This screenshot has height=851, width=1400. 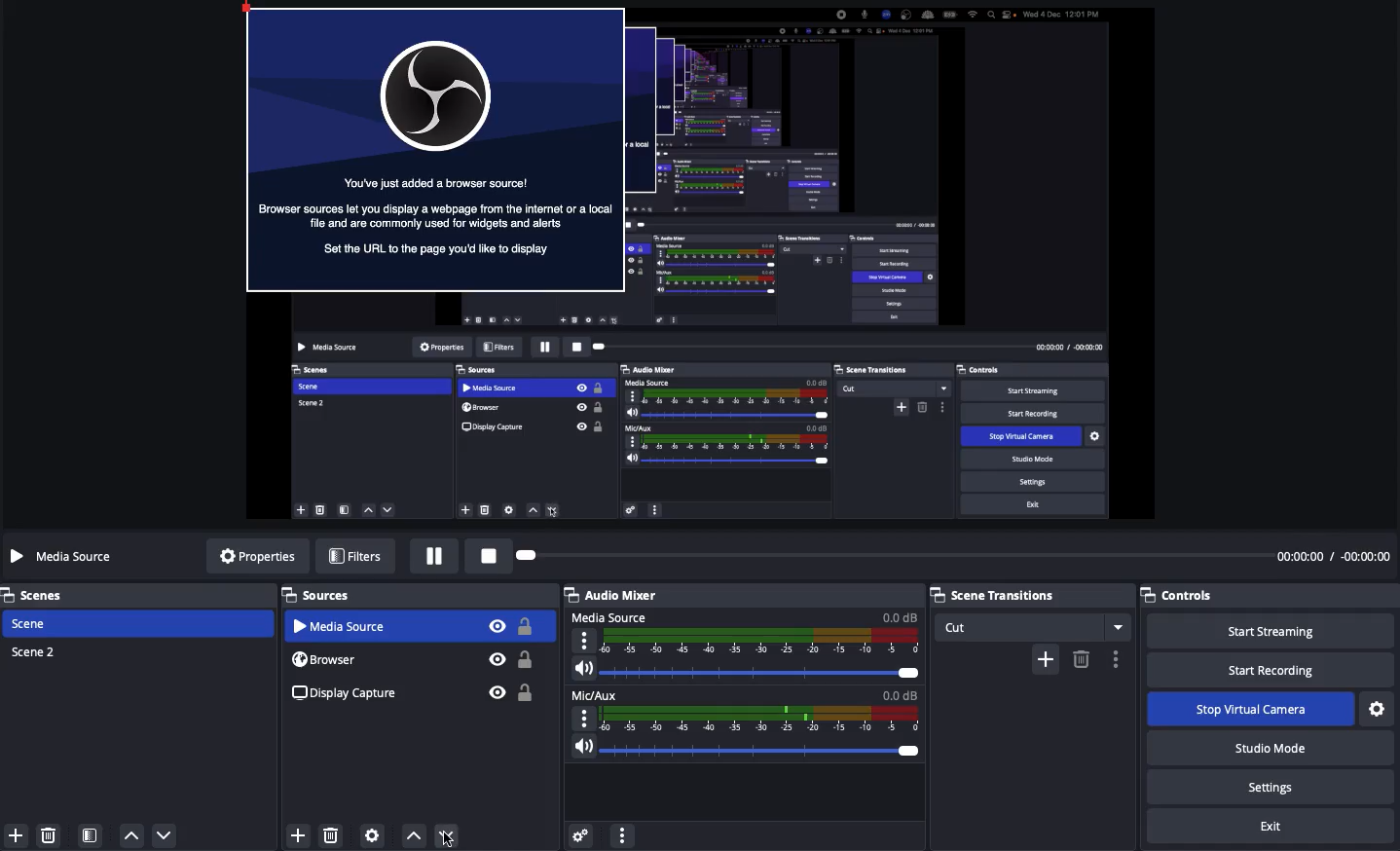 I want to click on  move down, so click(x=165, y=833).